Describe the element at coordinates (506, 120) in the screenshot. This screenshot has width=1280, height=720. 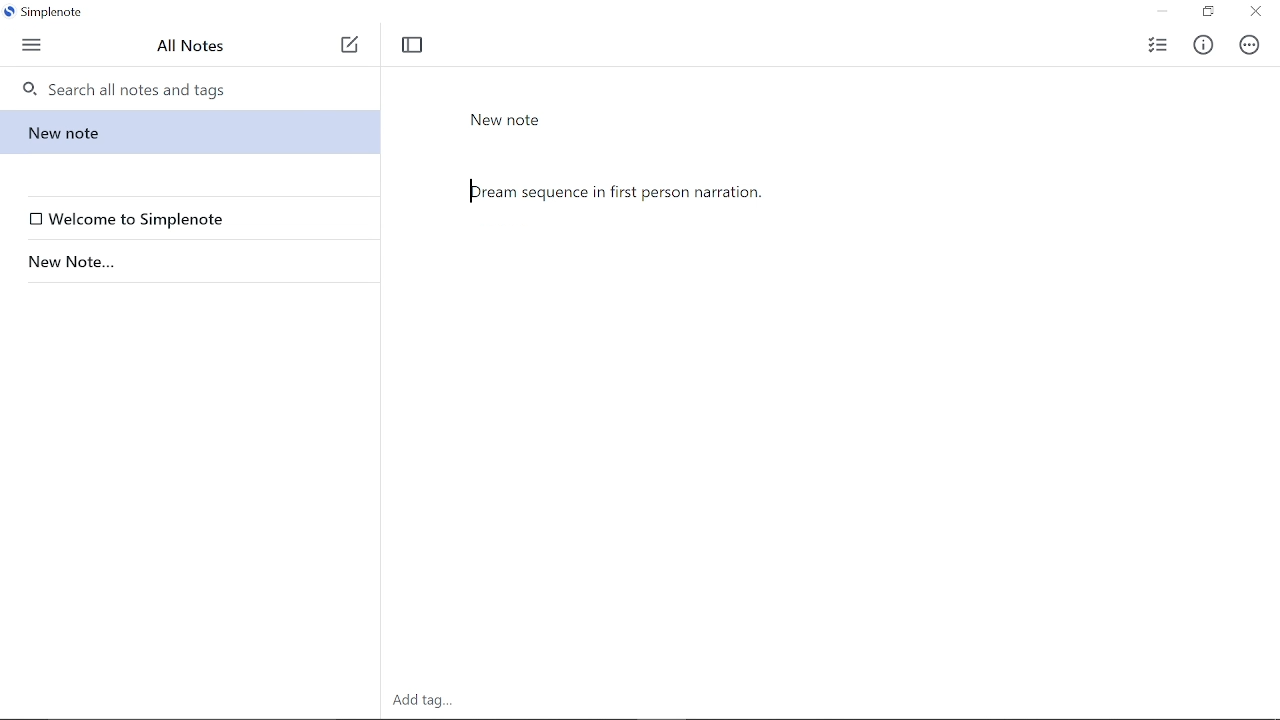
I see `New Note` at that location.